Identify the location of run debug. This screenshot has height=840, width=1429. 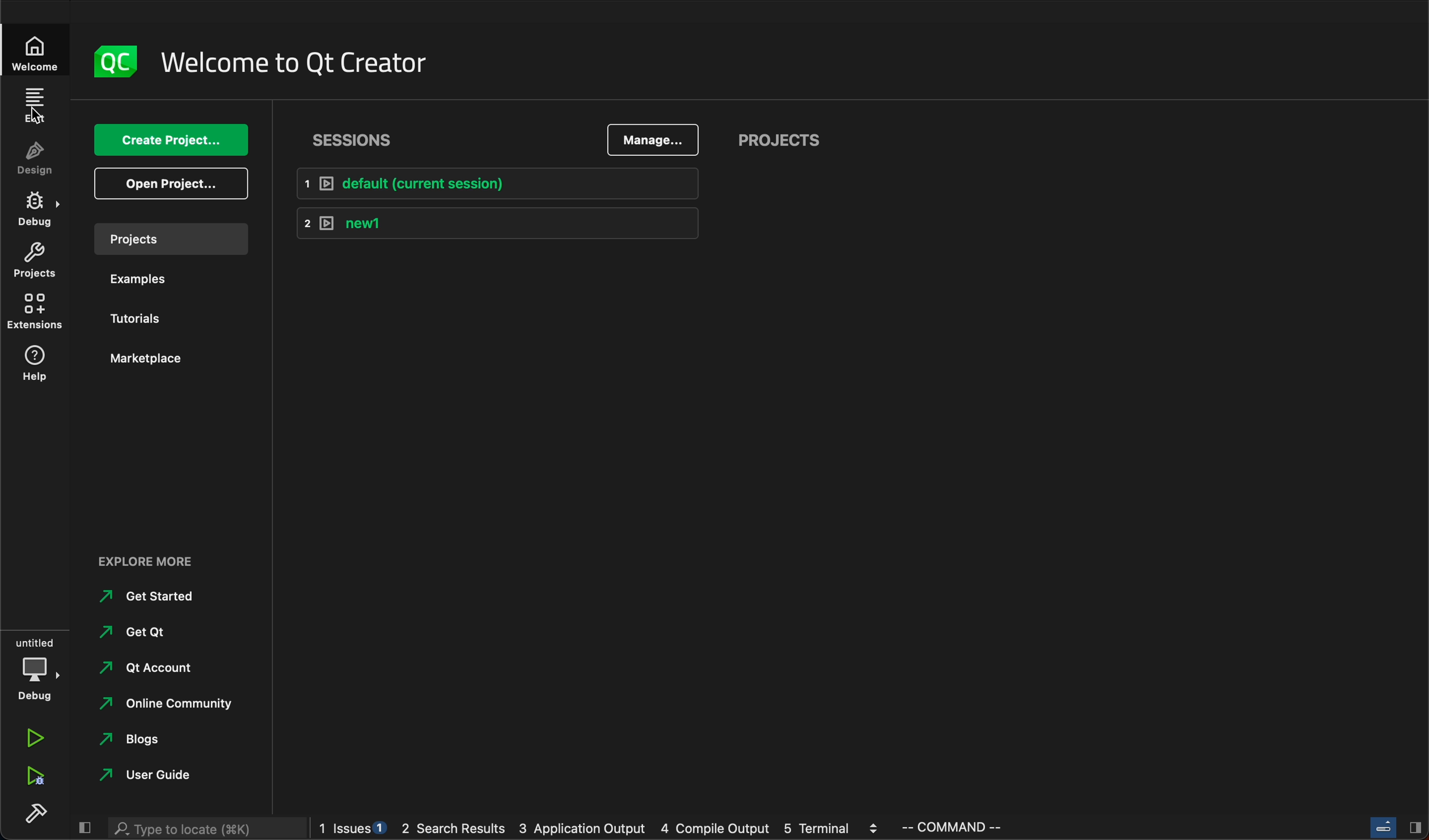
(33, 778).